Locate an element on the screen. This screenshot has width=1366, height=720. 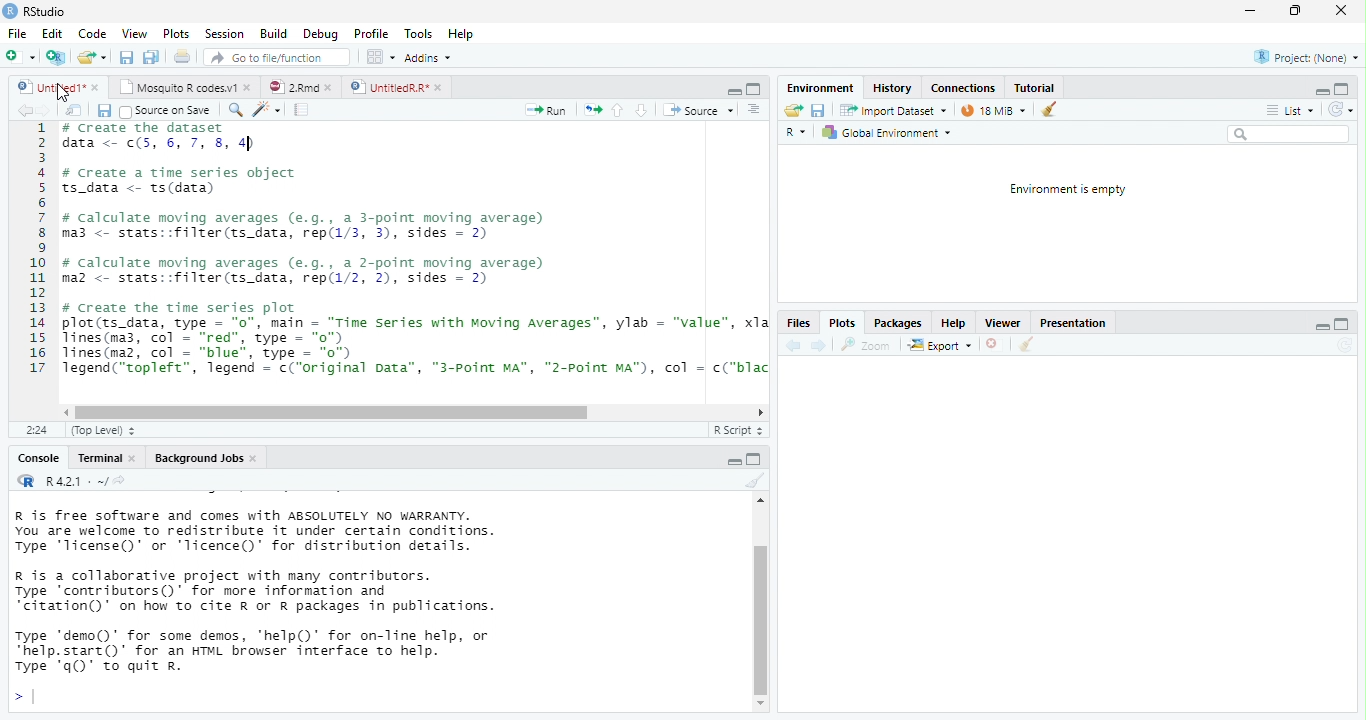
vertical scrollbar is located at coordinates (761, 619).